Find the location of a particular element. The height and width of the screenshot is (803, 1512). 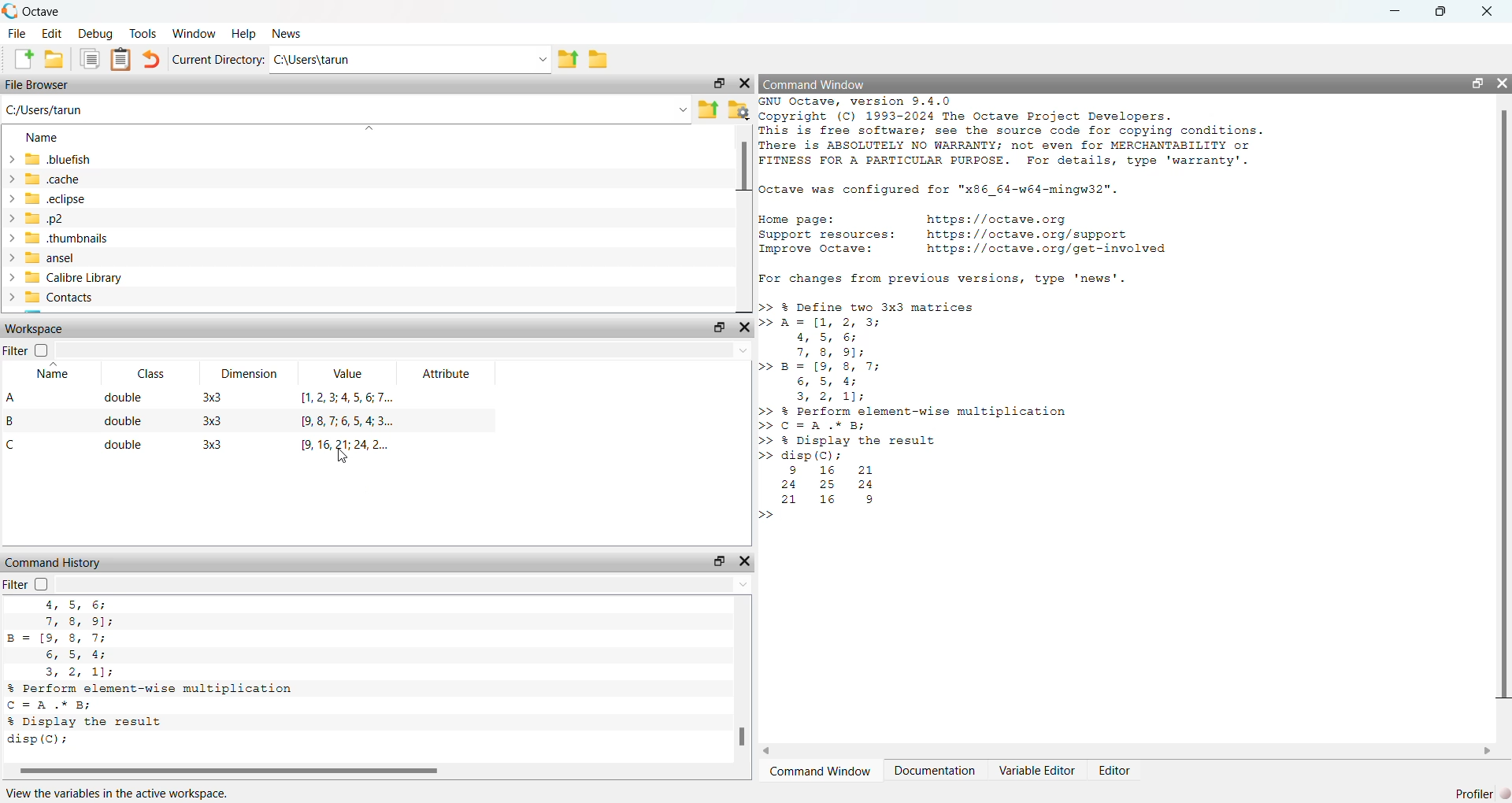

Dimension is located at coordinates (253, 374).